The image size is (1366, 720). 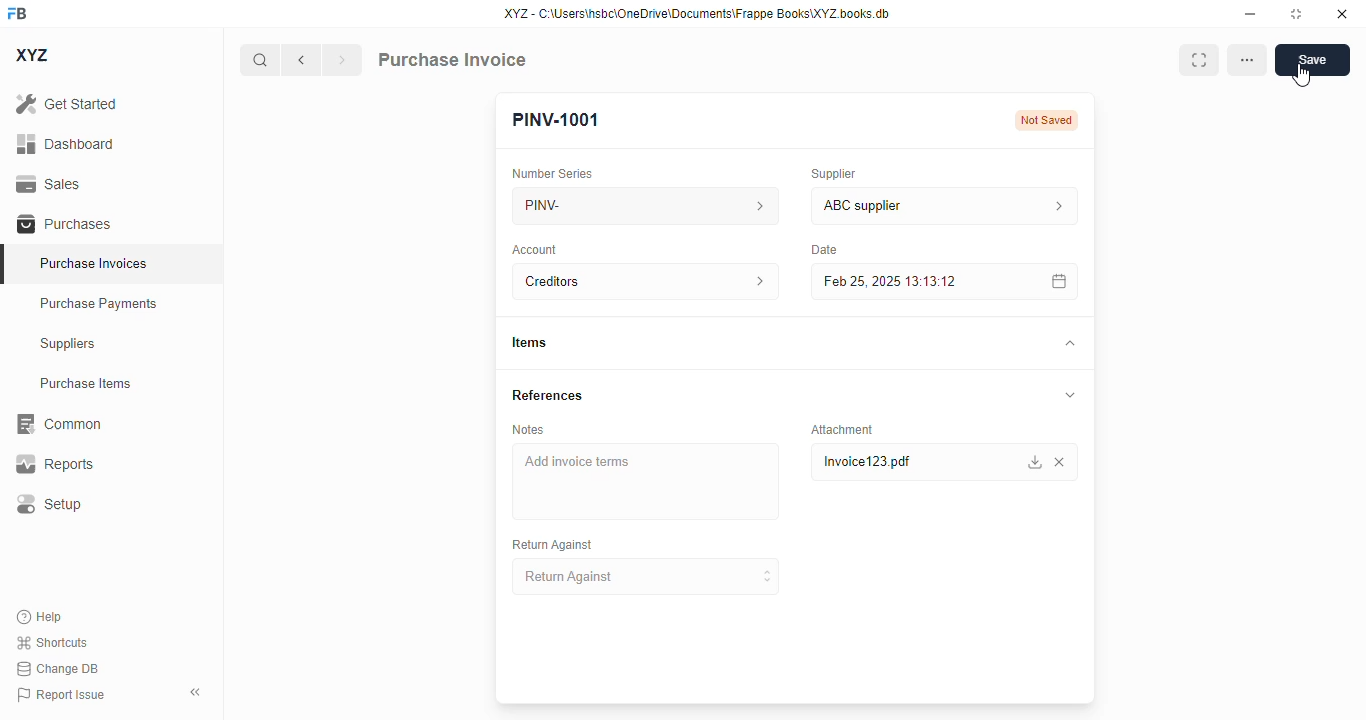 What do you see at coordinates (697, 13) in the screenshot?
I see `XYZ - C:\Users\hsbc\OneDrive\Documents\Frappe Books\XYZ books.db` at bounding box center [697, 13].